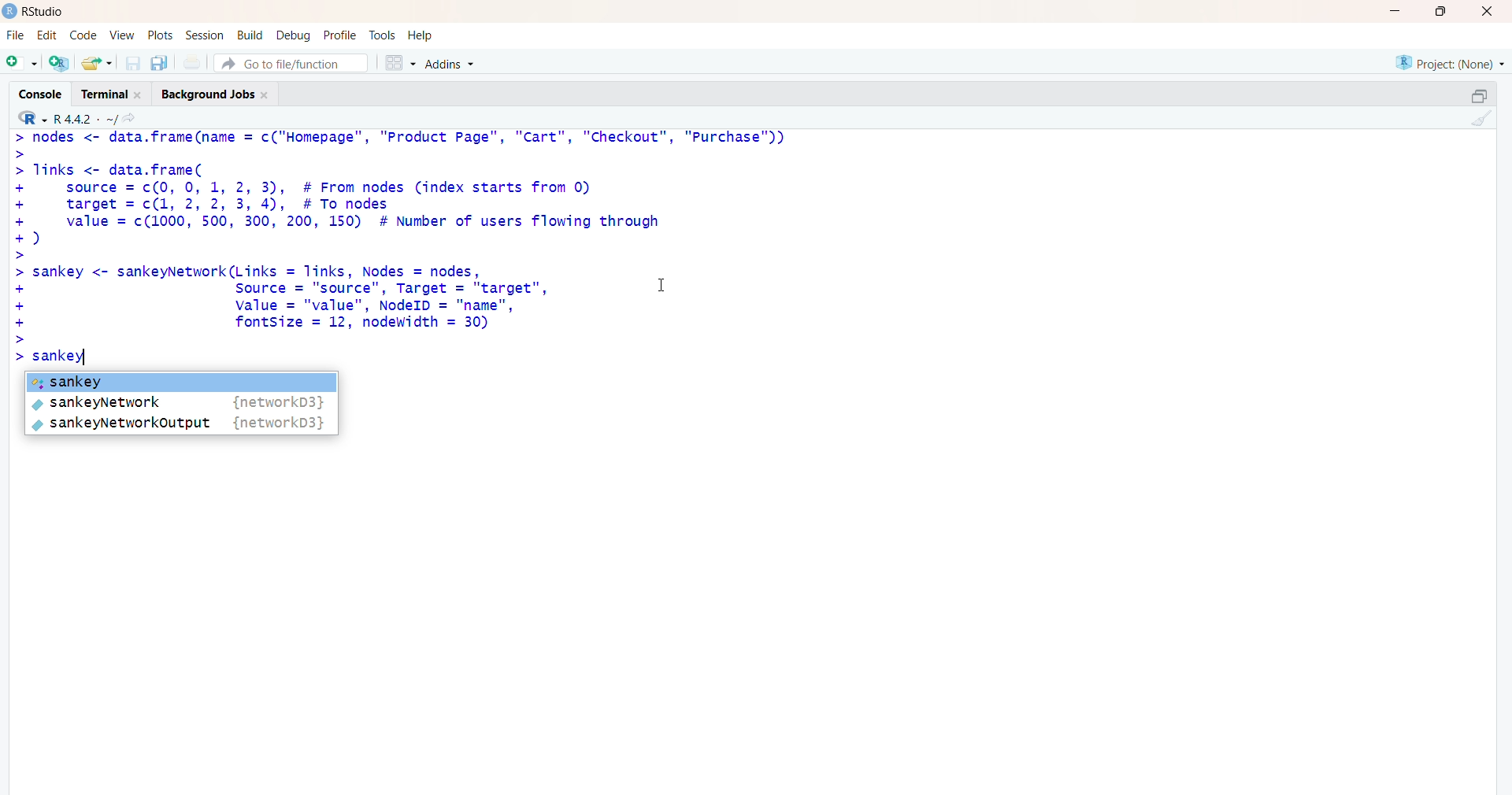  I want to click on exit, so click(1485, 13).